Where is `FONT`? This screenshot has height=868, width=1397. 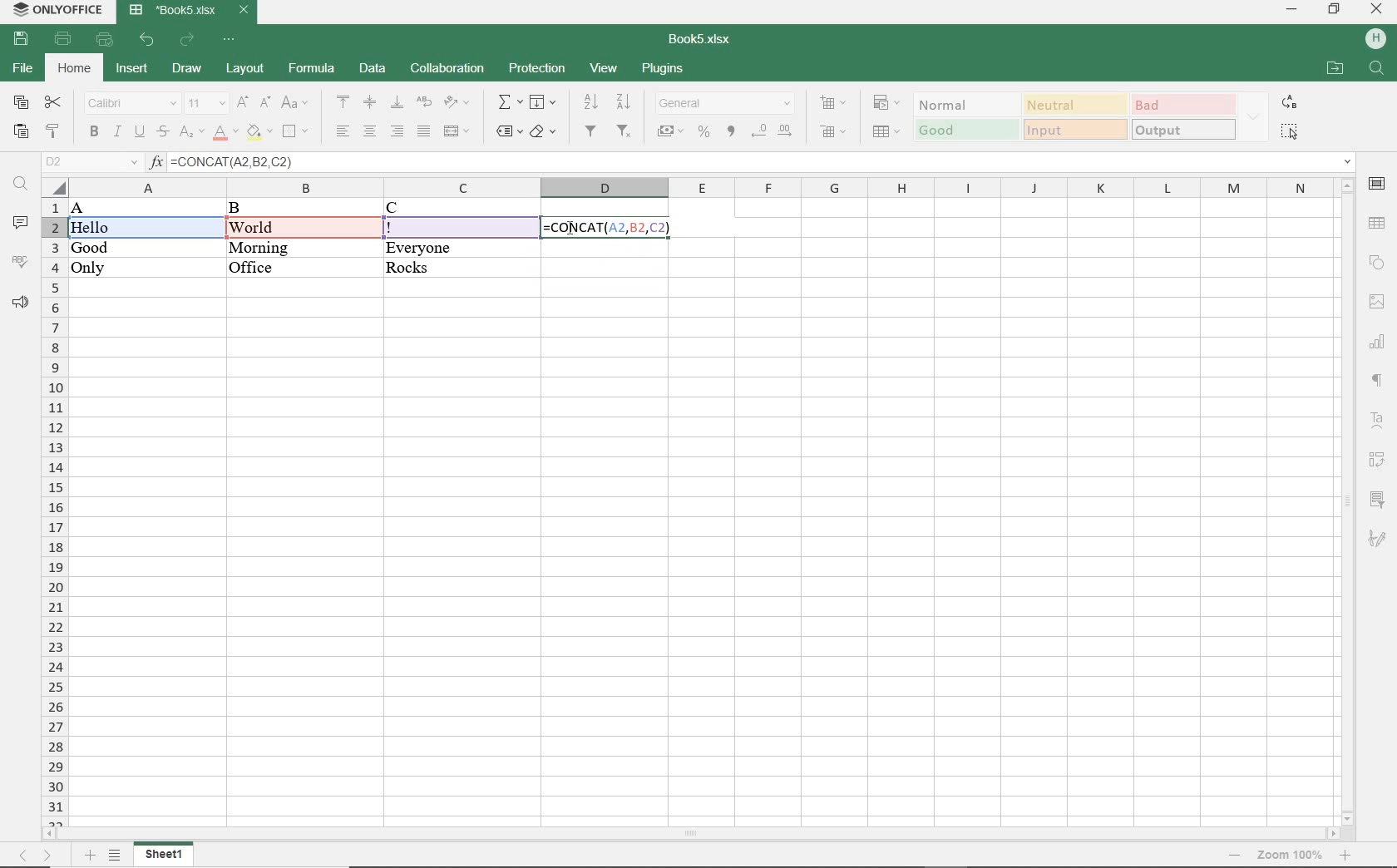 FONT is located at coordinates (131, 103).